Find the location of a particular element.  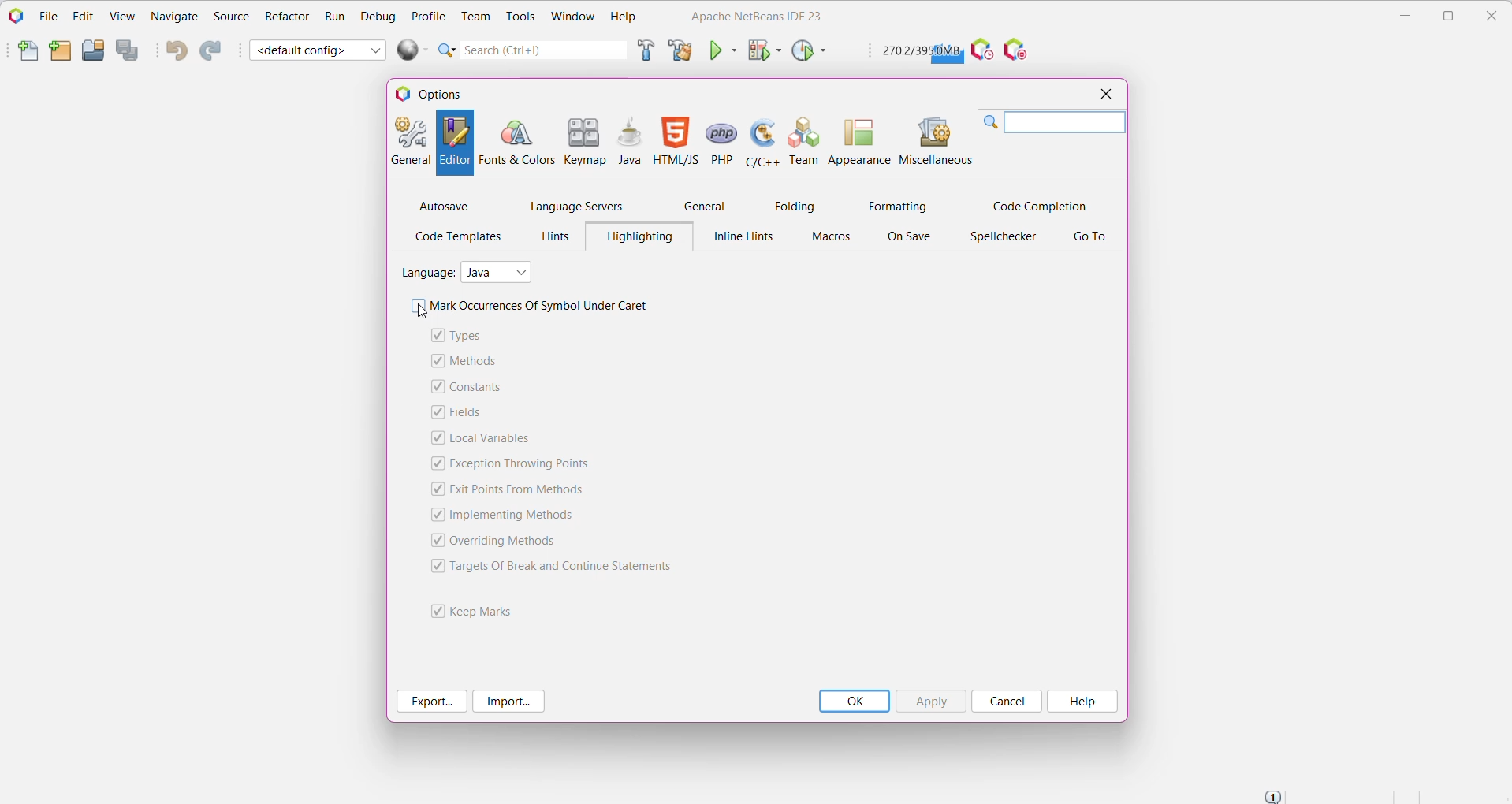

Exit Points From Methods - click to enable is located at coordinates (516, 489).